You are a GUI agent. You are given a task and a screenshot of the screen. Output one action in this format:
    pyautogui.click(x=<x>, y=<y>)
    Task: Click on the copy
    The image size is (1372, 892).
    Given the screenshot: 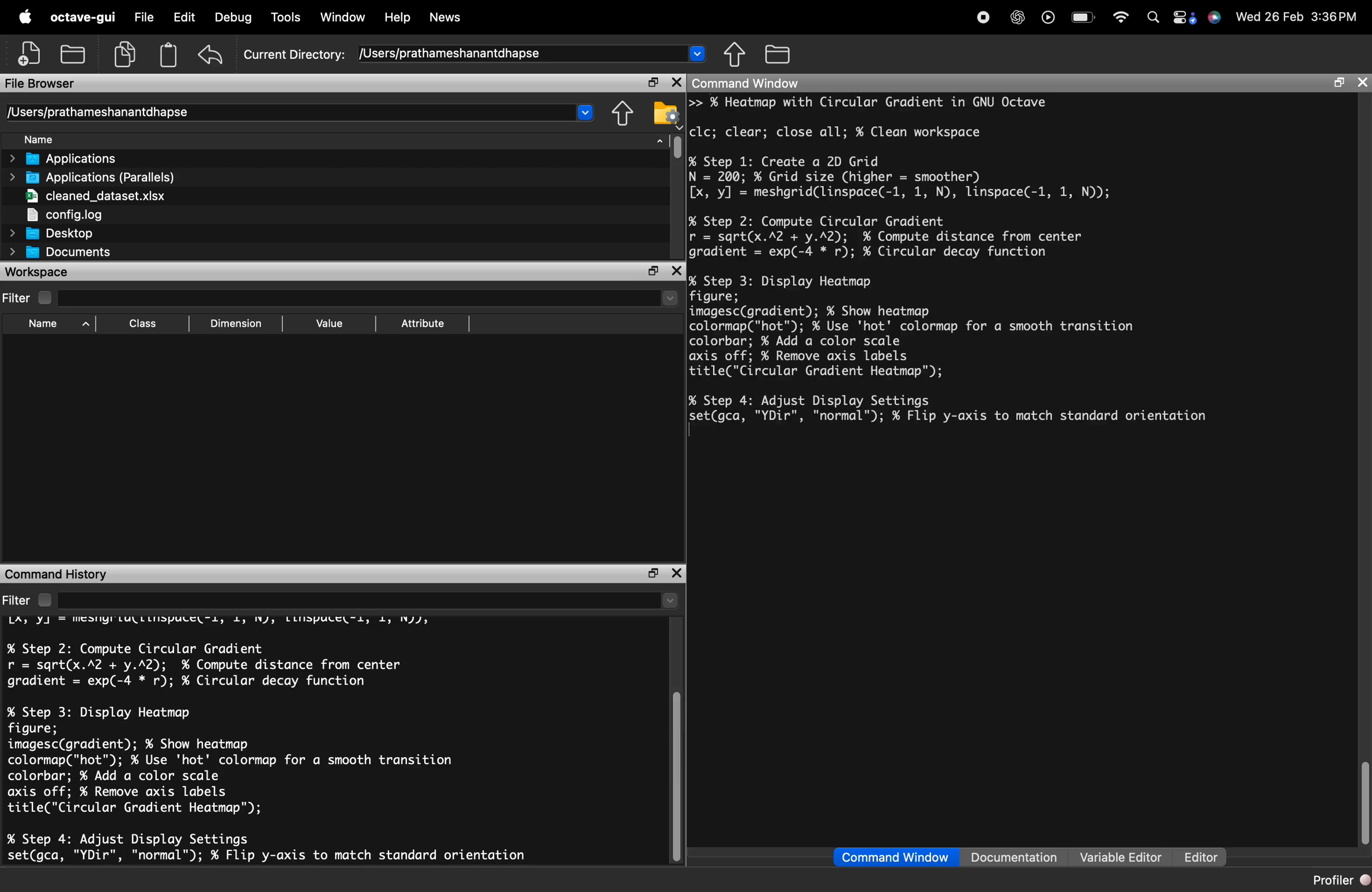 What is the action you would take?
    pyautogui.click(x=125, y=54)
    